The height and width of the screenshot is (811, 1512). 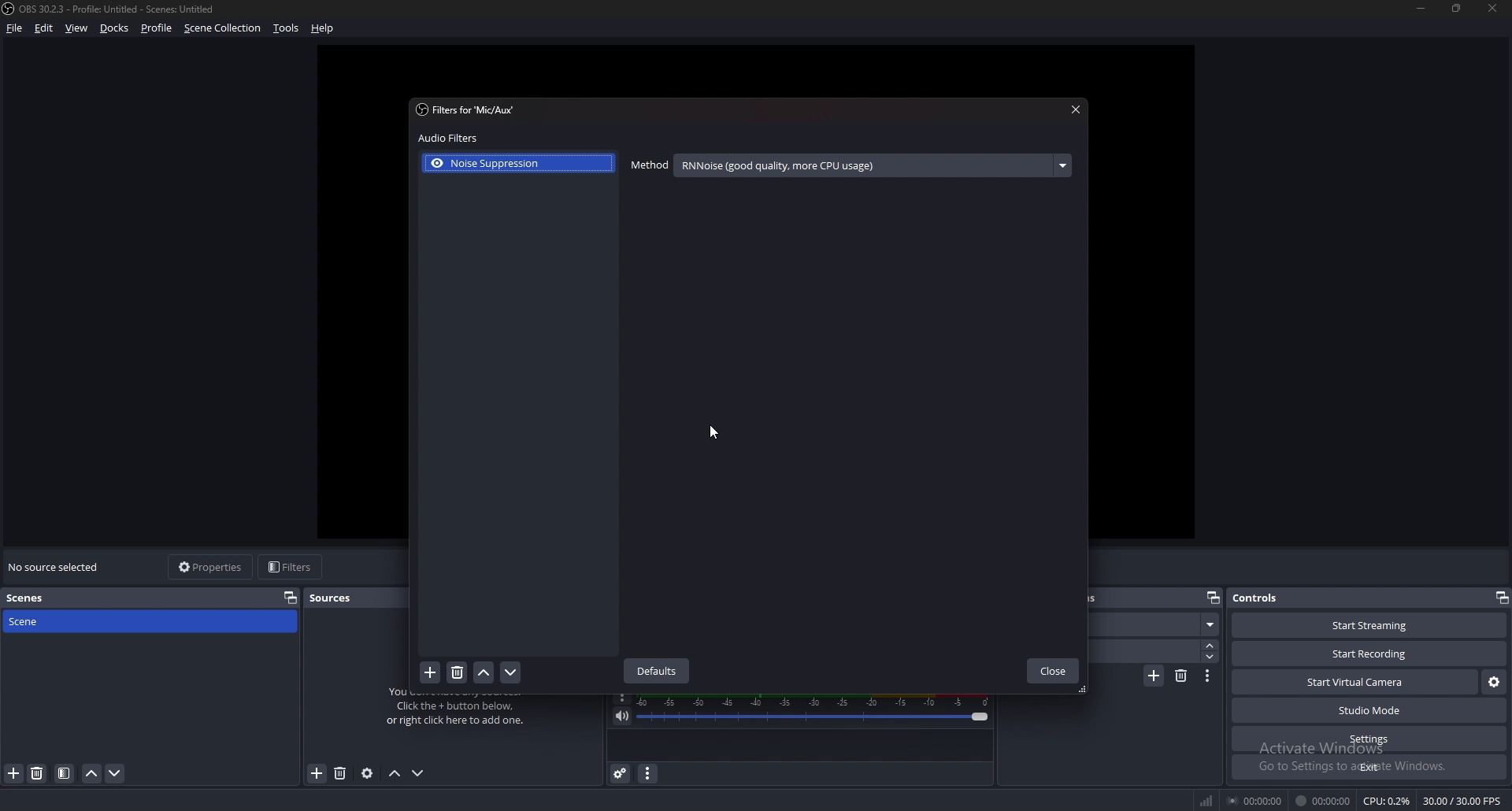 What do you see at coordinates (1210, 645) in the screenshot?
I see `increase duration` at bounding box center [1210, 645].